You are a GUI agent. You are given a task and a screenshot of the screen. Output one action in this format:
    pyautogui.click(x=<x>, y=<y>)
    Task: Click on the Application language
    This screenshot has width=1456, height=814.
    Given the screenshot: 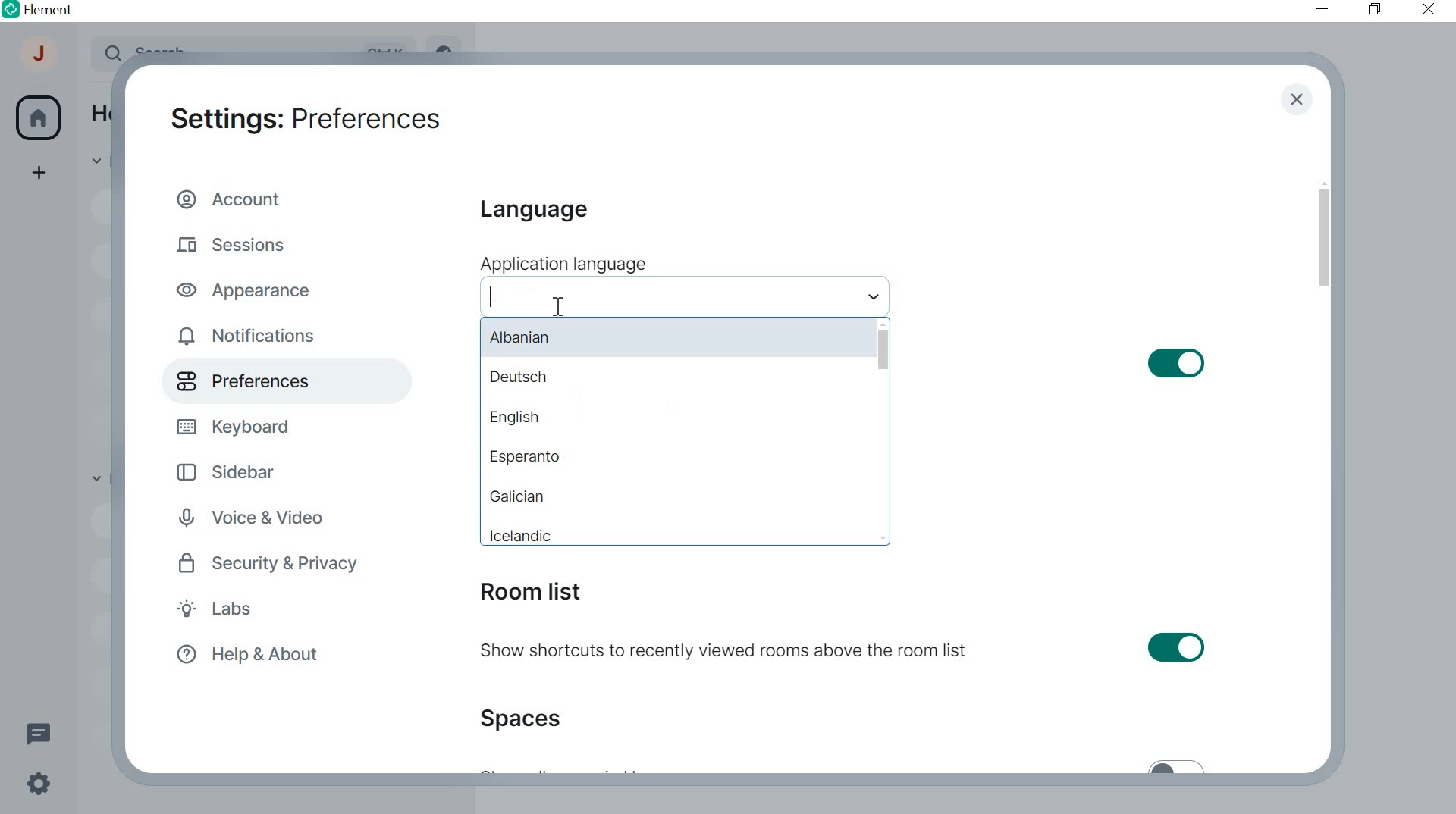 What is the action you would take?
    pyautogui.click(x=562, y=264)
    